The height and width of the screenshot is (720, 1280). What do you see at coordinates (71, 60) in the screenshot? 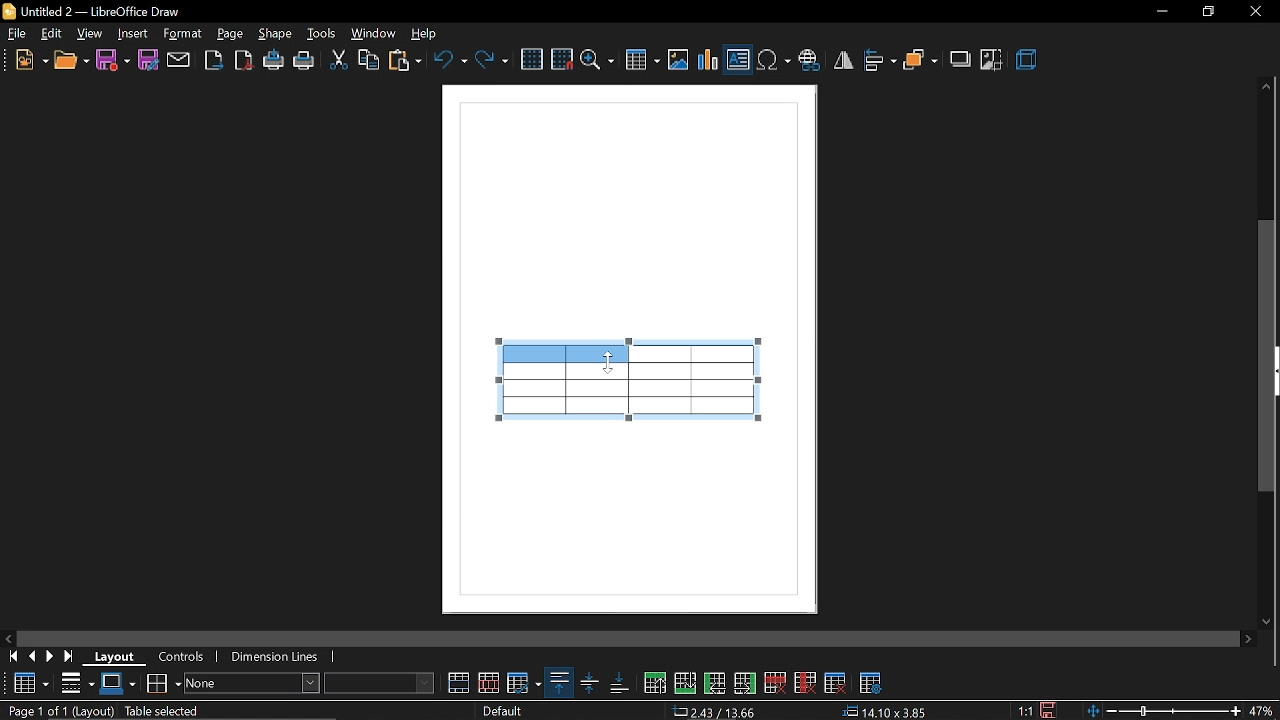
I see `open` at bounding box center [71, 60].